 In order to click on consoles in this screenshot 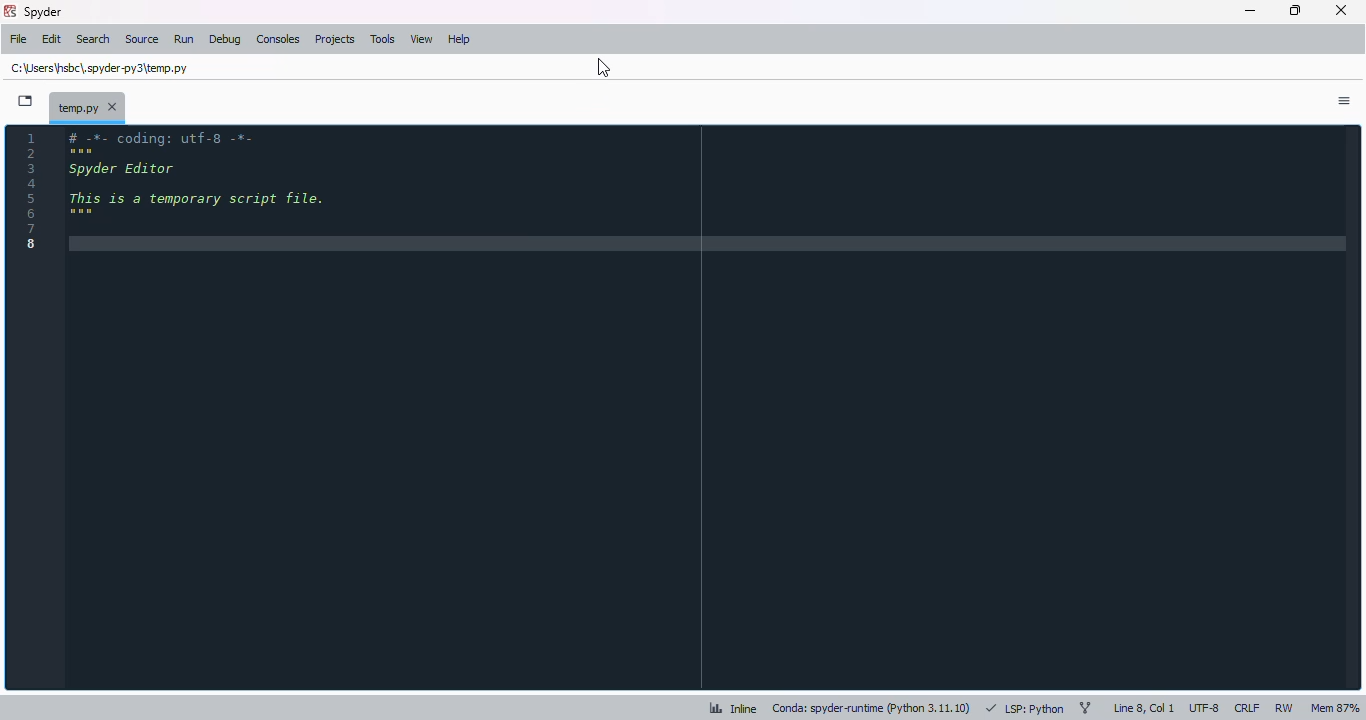, I will do `click(278, 40)`.